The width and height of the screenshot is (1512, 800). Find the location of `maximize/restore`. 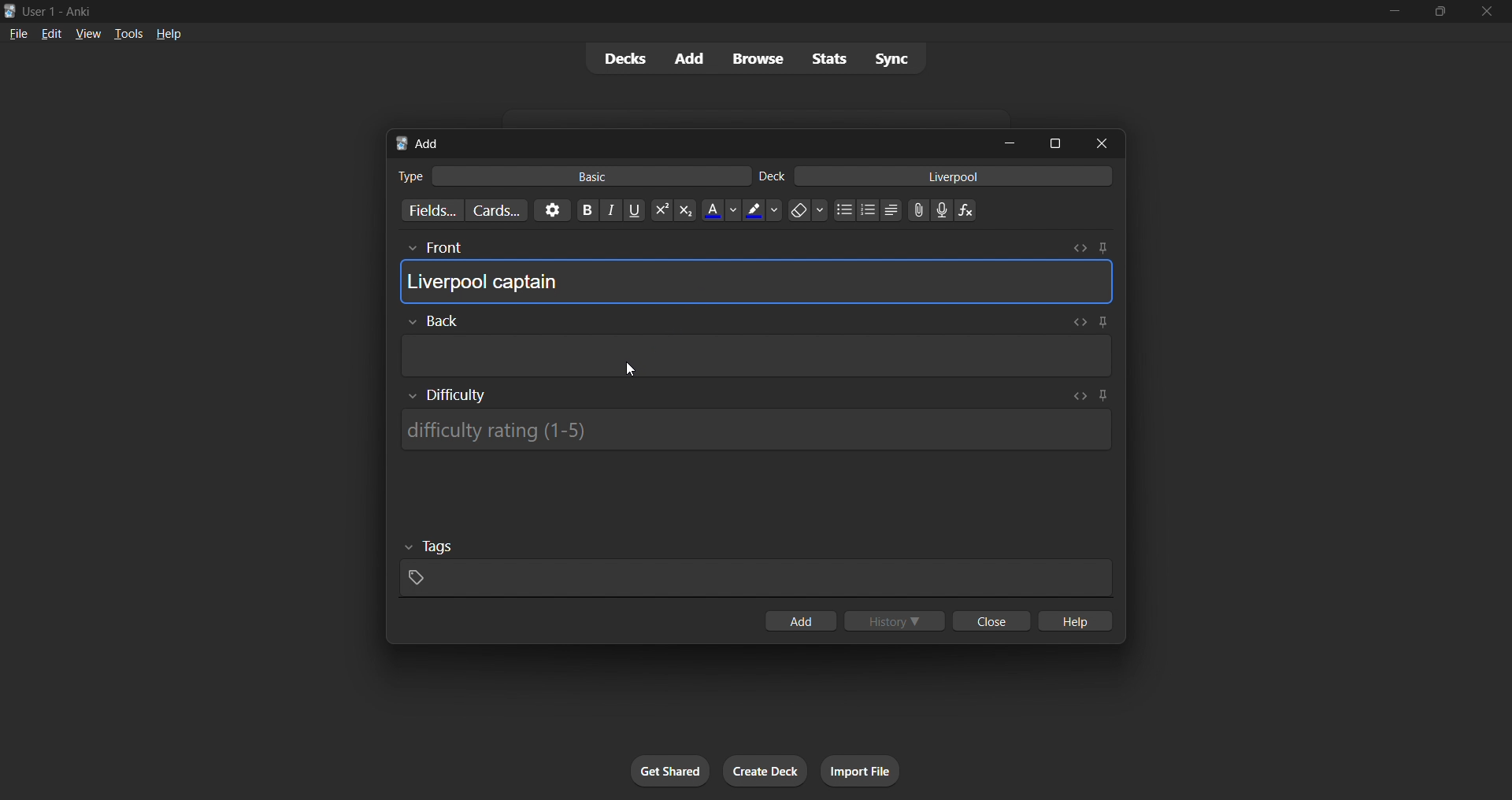

maximize/restore is located at coordinates (1440, 12).